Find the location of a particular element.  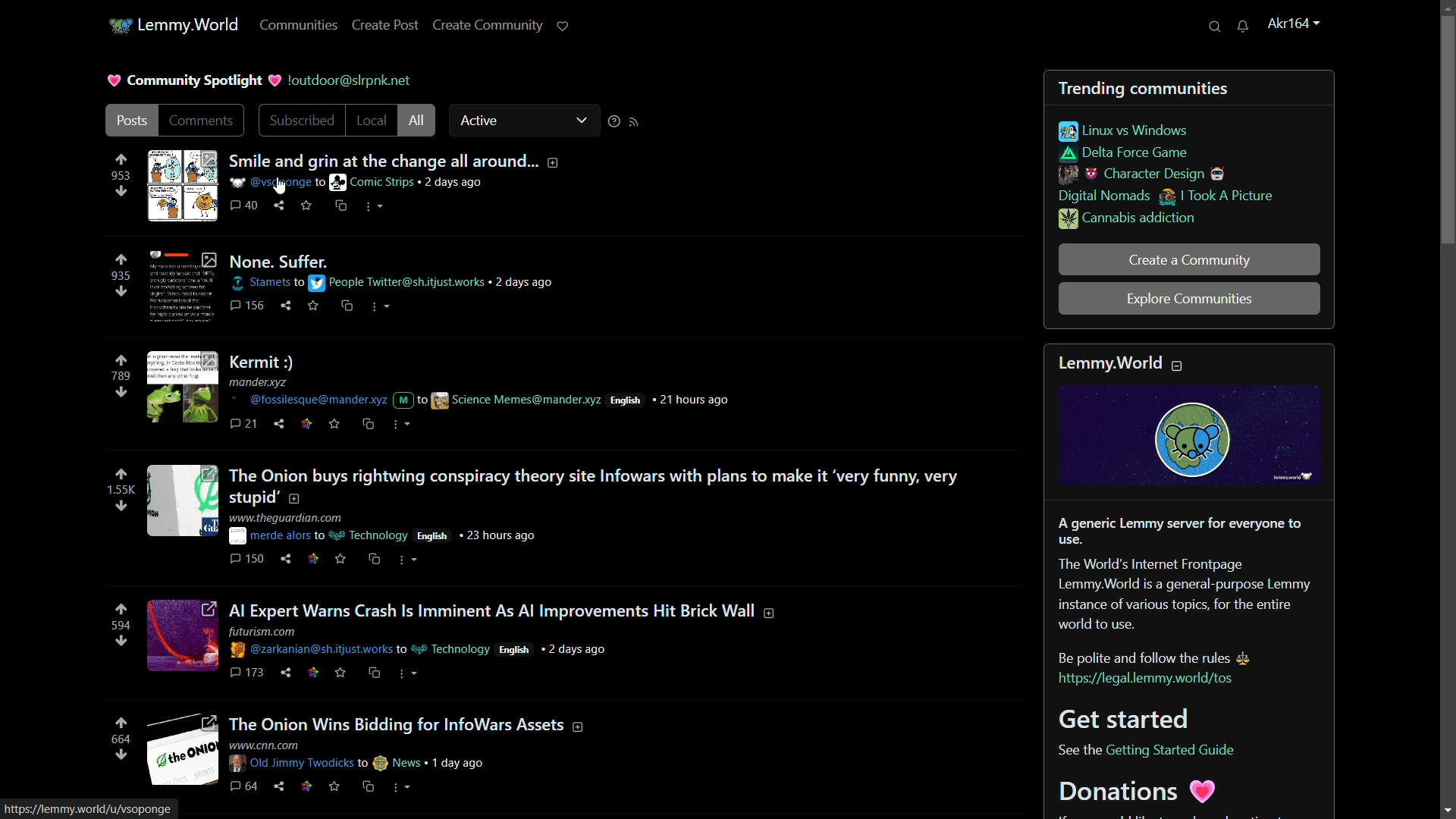

downvote is located at coordinates (121, 290).